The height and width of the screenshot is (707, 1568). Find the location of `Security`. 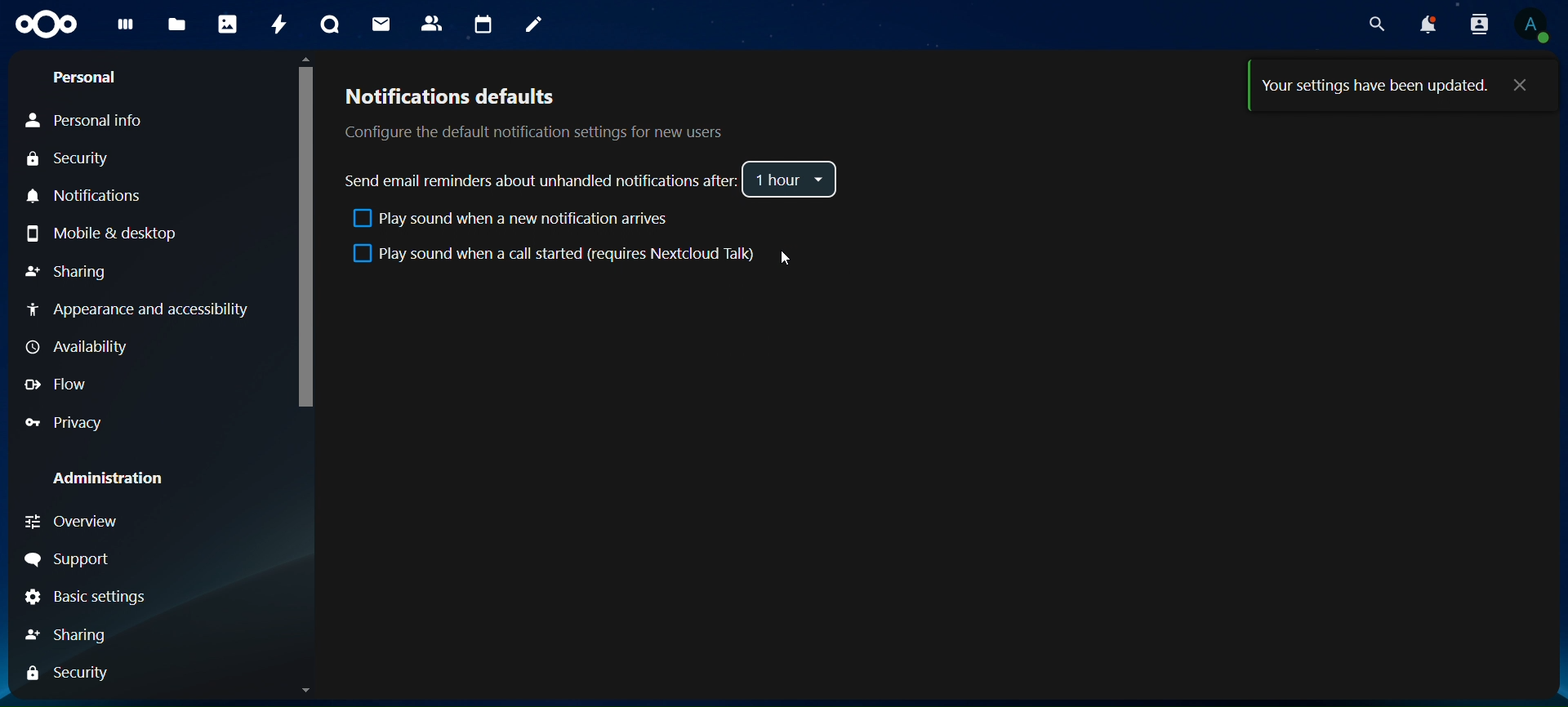

Security is located at coordinates (66, 674).